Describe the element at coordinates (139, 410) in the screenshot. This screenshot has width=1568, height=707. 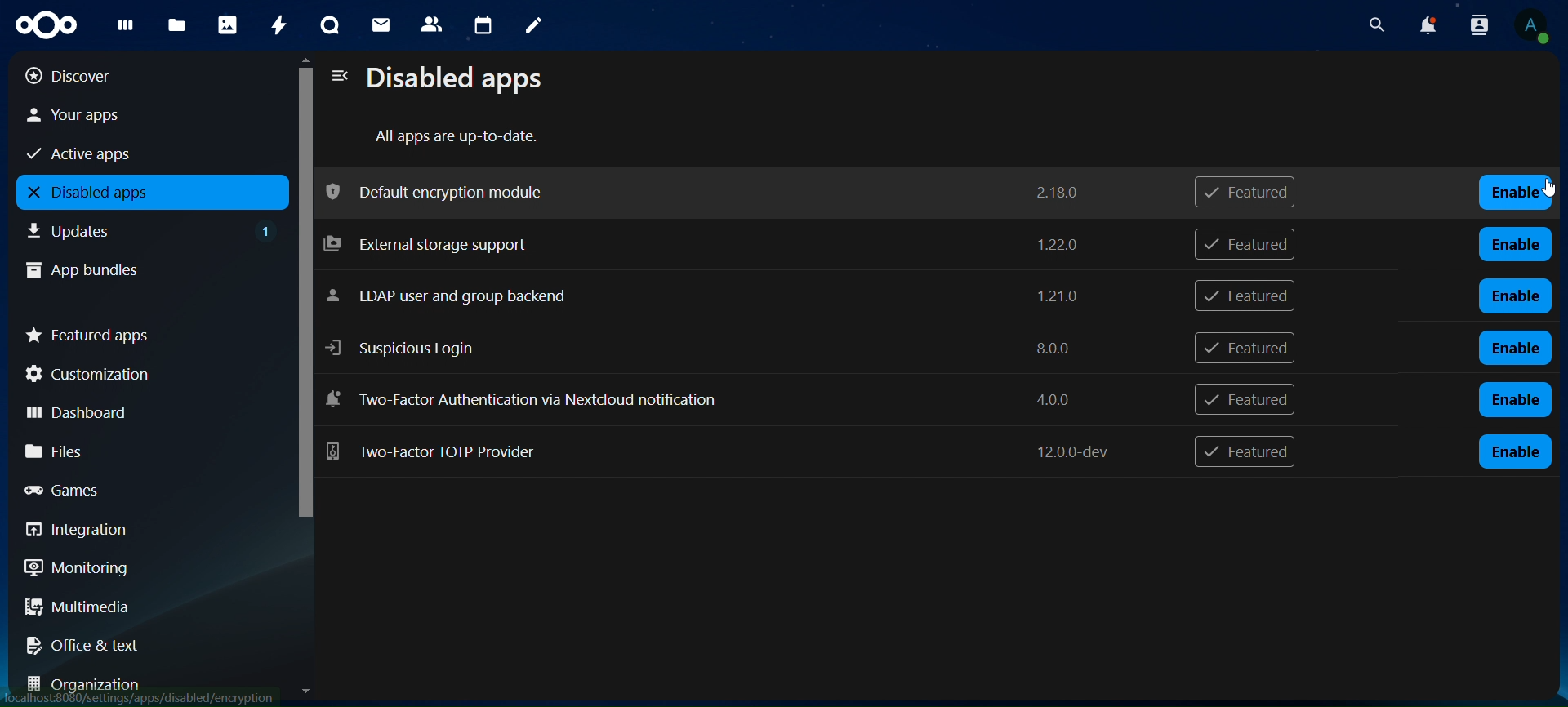
I see `dashboard` at that location.